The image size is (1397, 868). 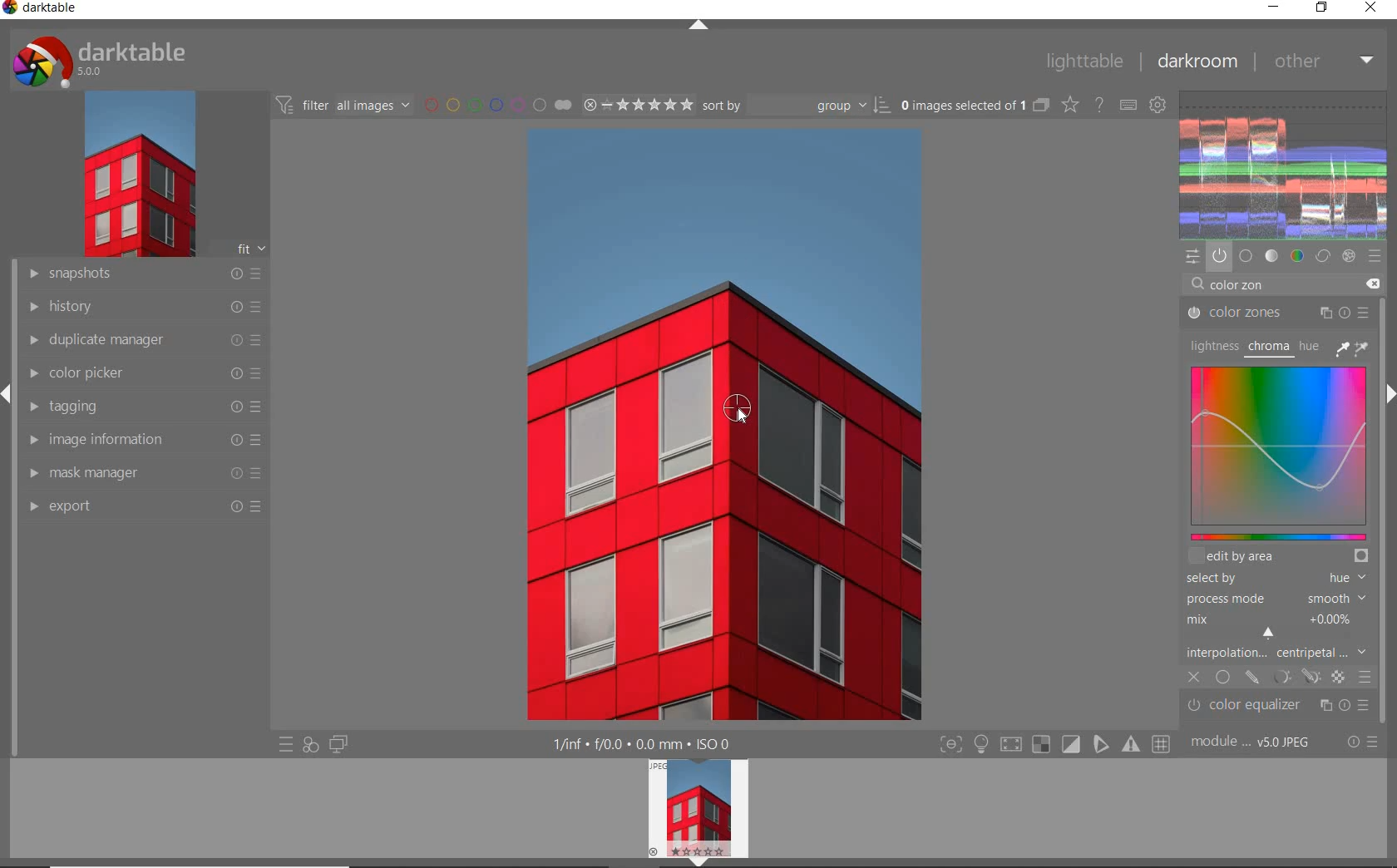 What do you see at coordinates (1354, 348) in the screenshot?
I see `PICKER TOOLS` at bounding box center [1354, 348].